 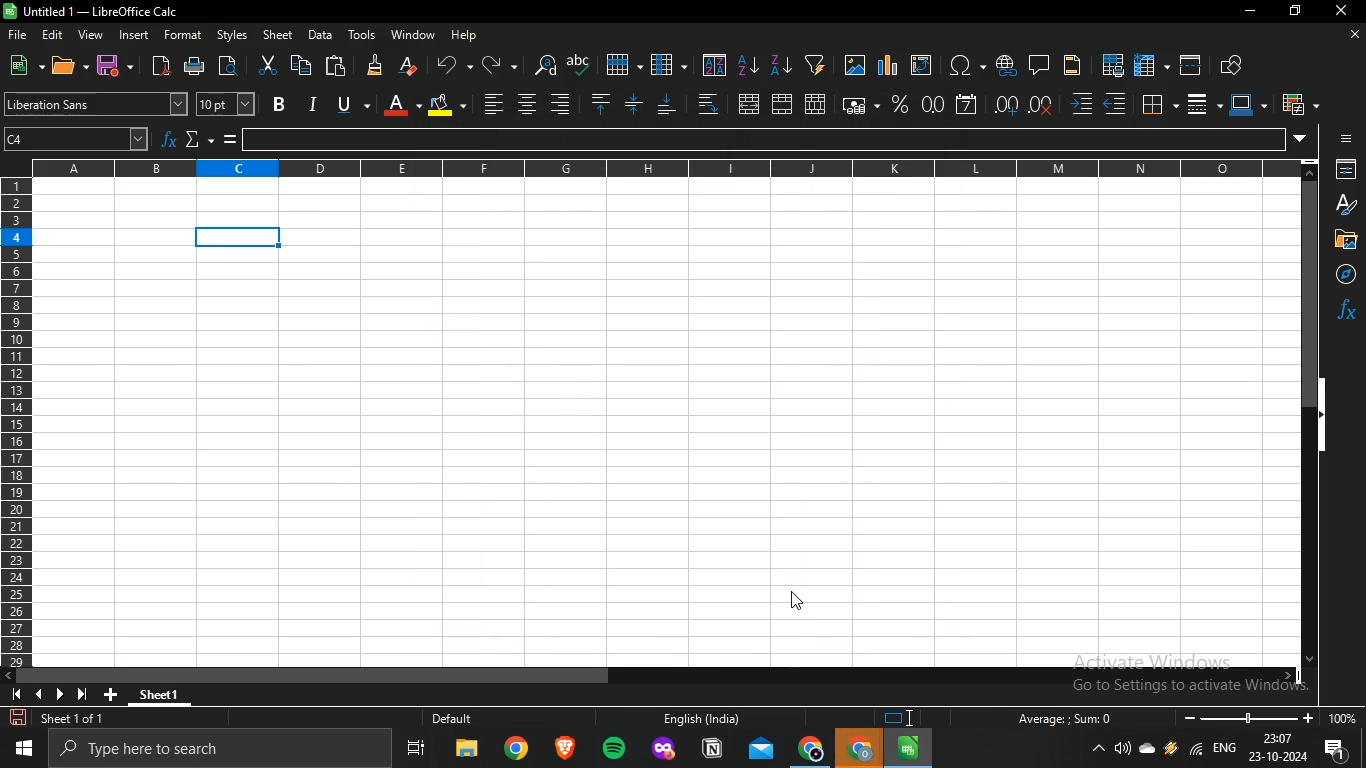 What do you see at coordinates (652, 676) in the screenshot?
I see `scrollbar` at bounding box center [652, 676].